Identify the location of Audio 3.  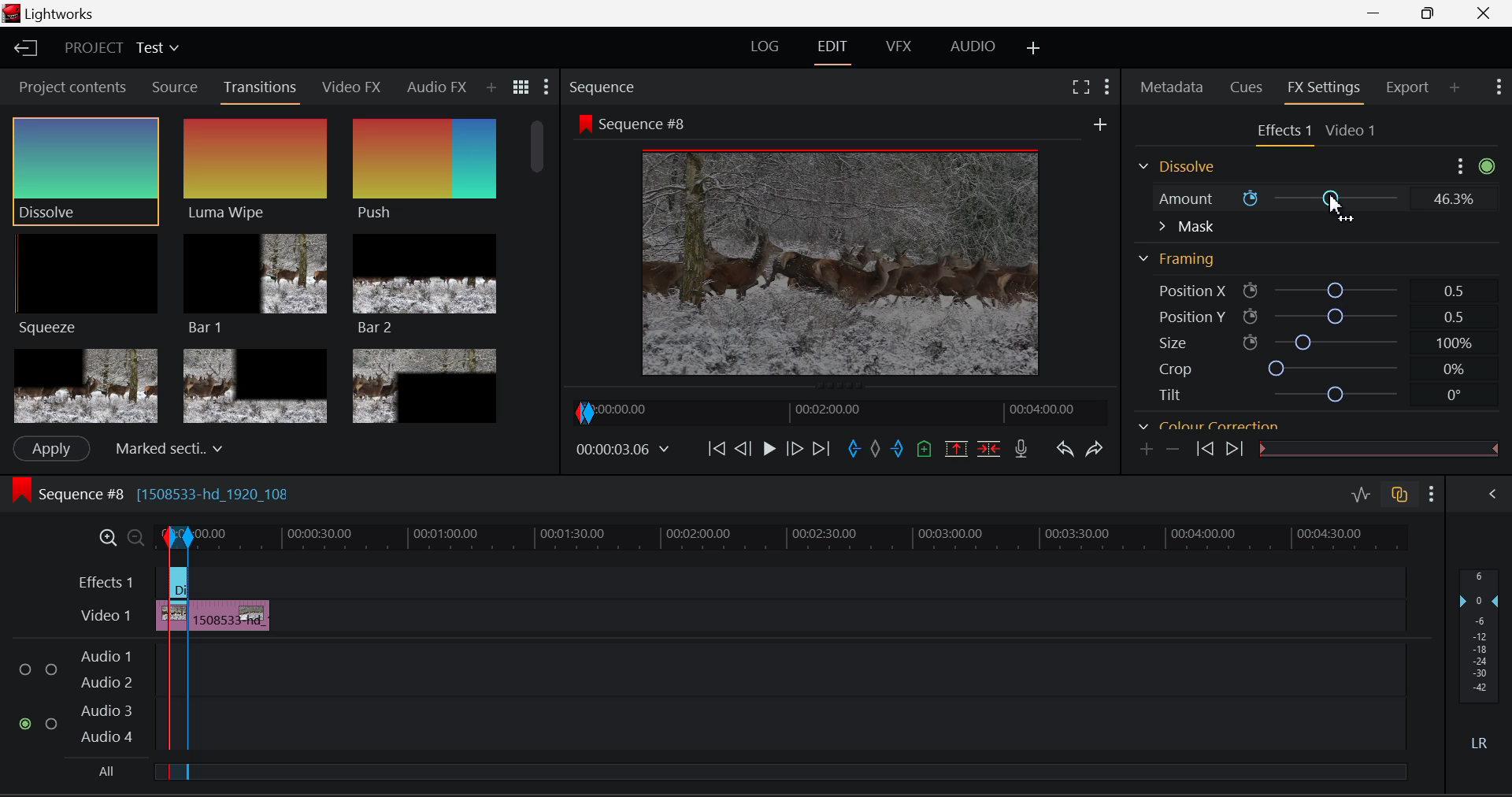
(105, 710).